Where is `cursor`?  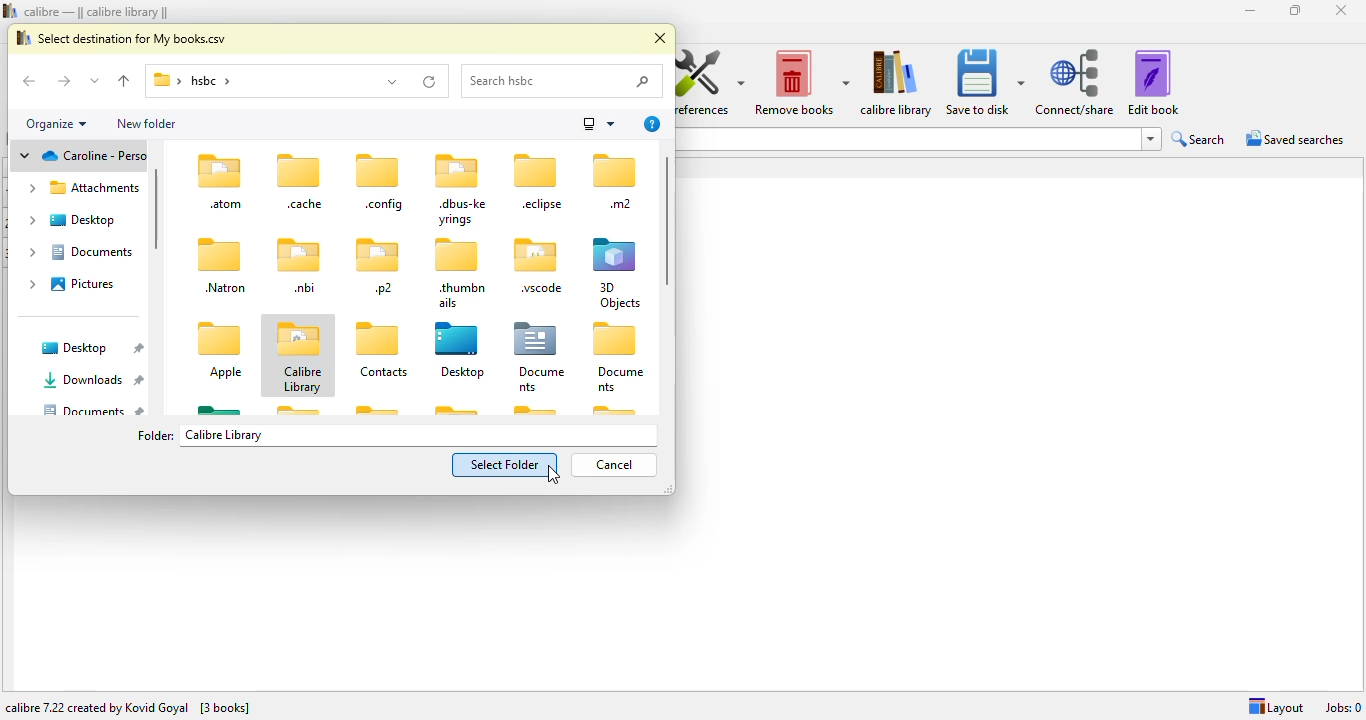
cursor is located at coordinates (553, 475).